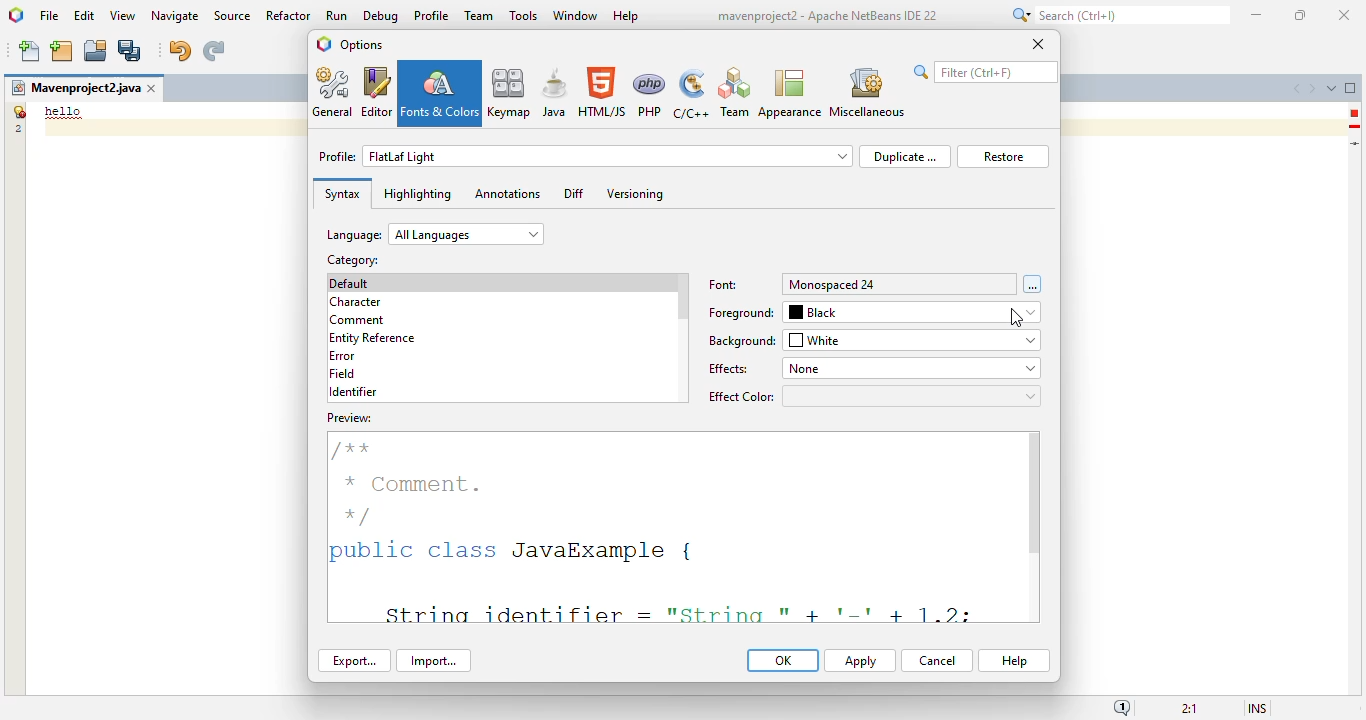 The image size is (1366, 720). What do you see at coordinates (342, 373) in the screenshot?
I see `field` at bounding box center [342, 373].